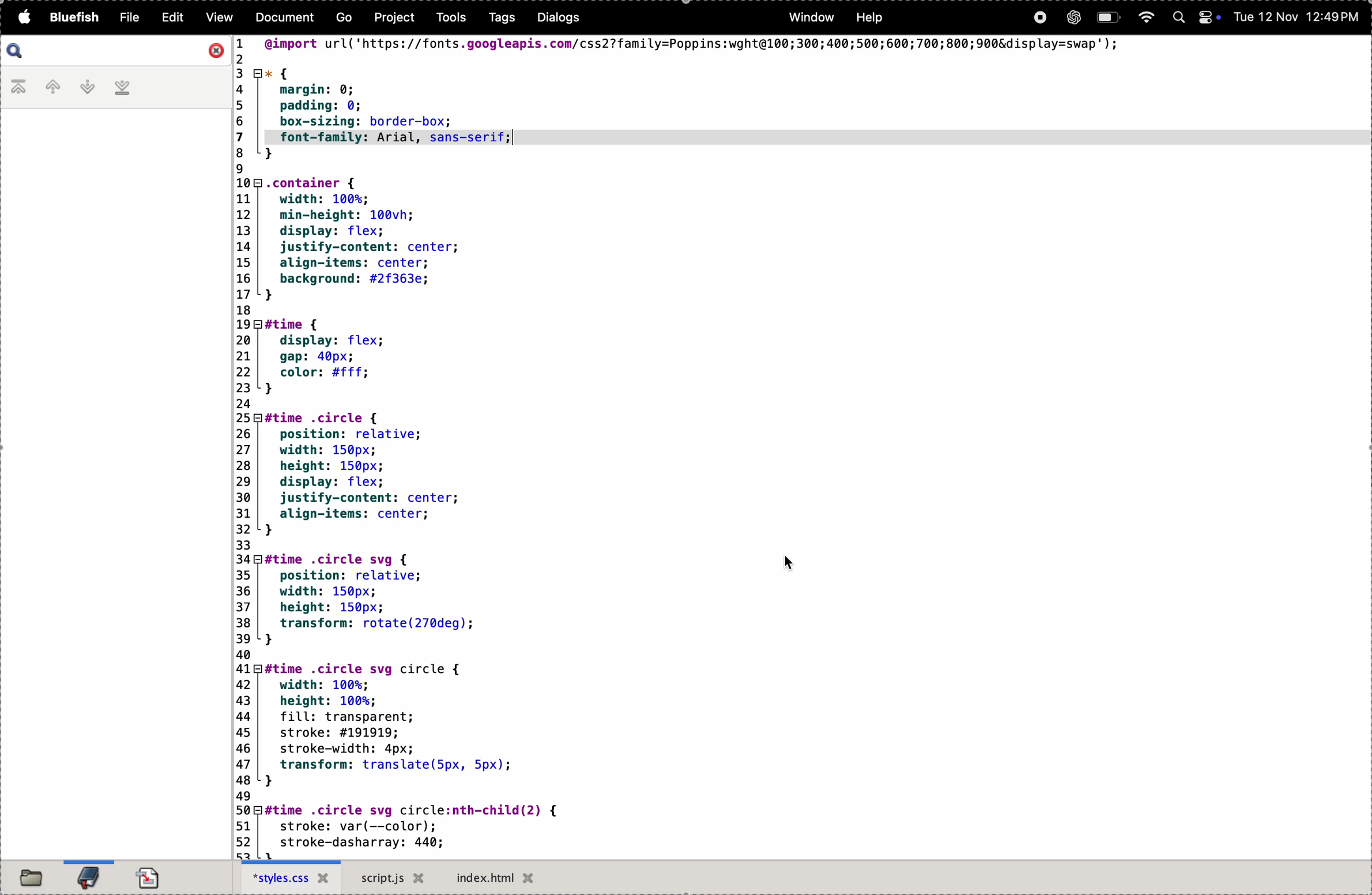  Describe the element at coordinates (496, 877) in the screenshot. I see `index .html` at that location.